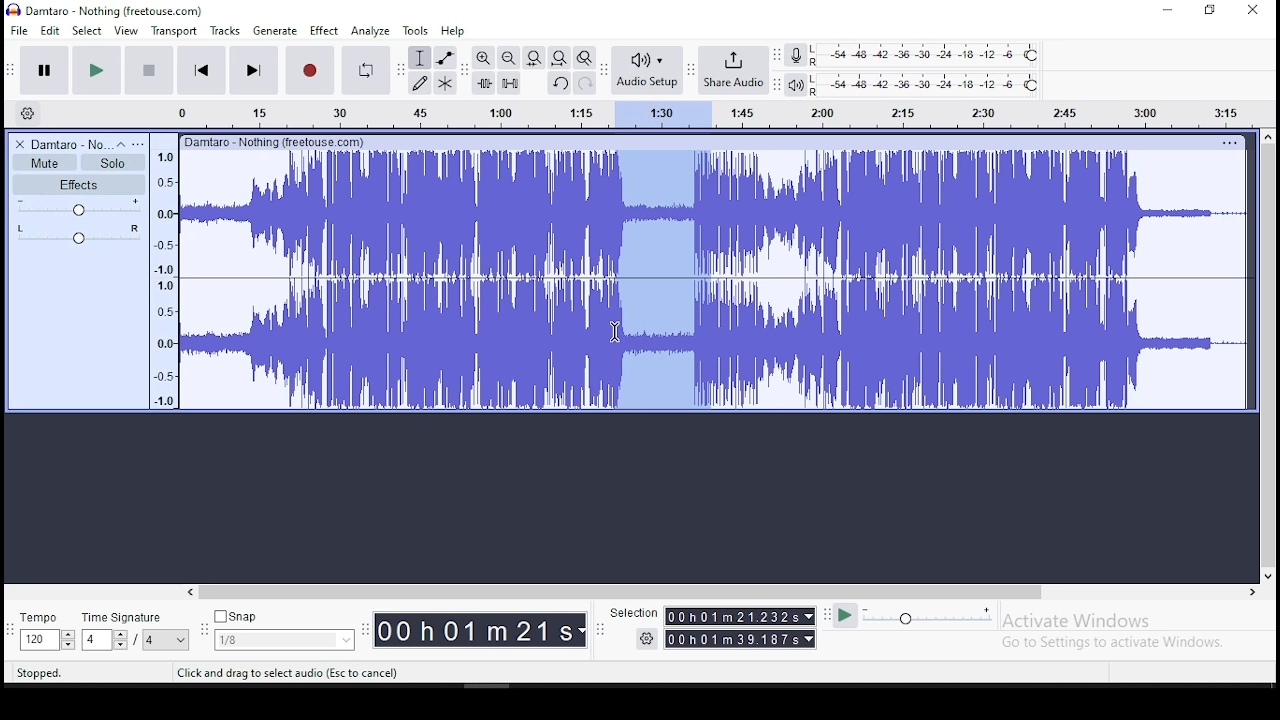 Image resolution: width=1280 pixels, height=720 pixels. Describe the element at coordinates (601, 630) in the screenshot. I see `` at that location.